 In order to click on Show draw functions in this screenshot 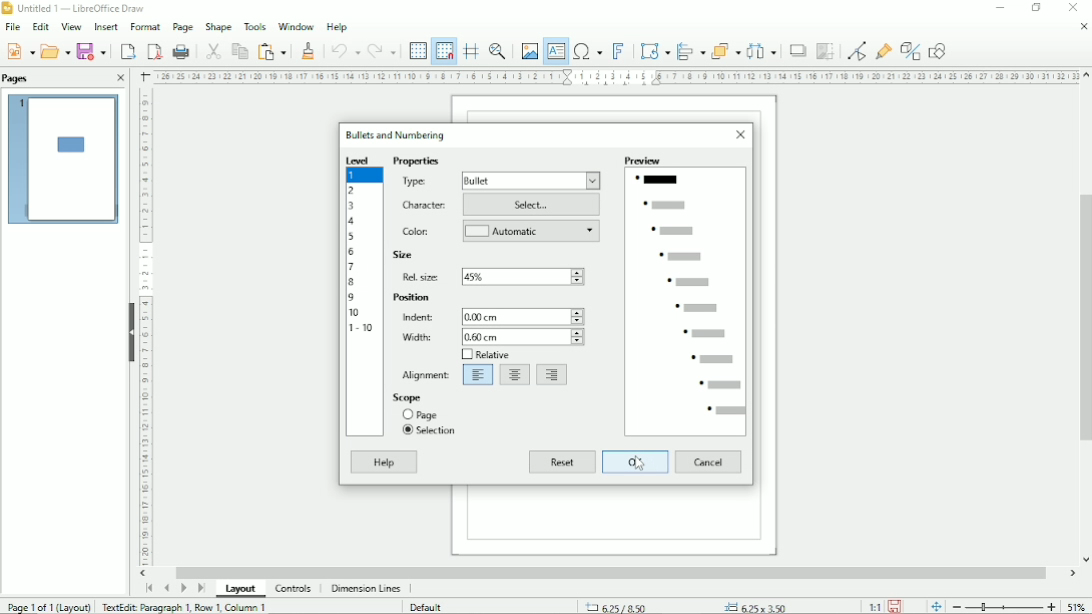, I will do `click(939, 50)`.